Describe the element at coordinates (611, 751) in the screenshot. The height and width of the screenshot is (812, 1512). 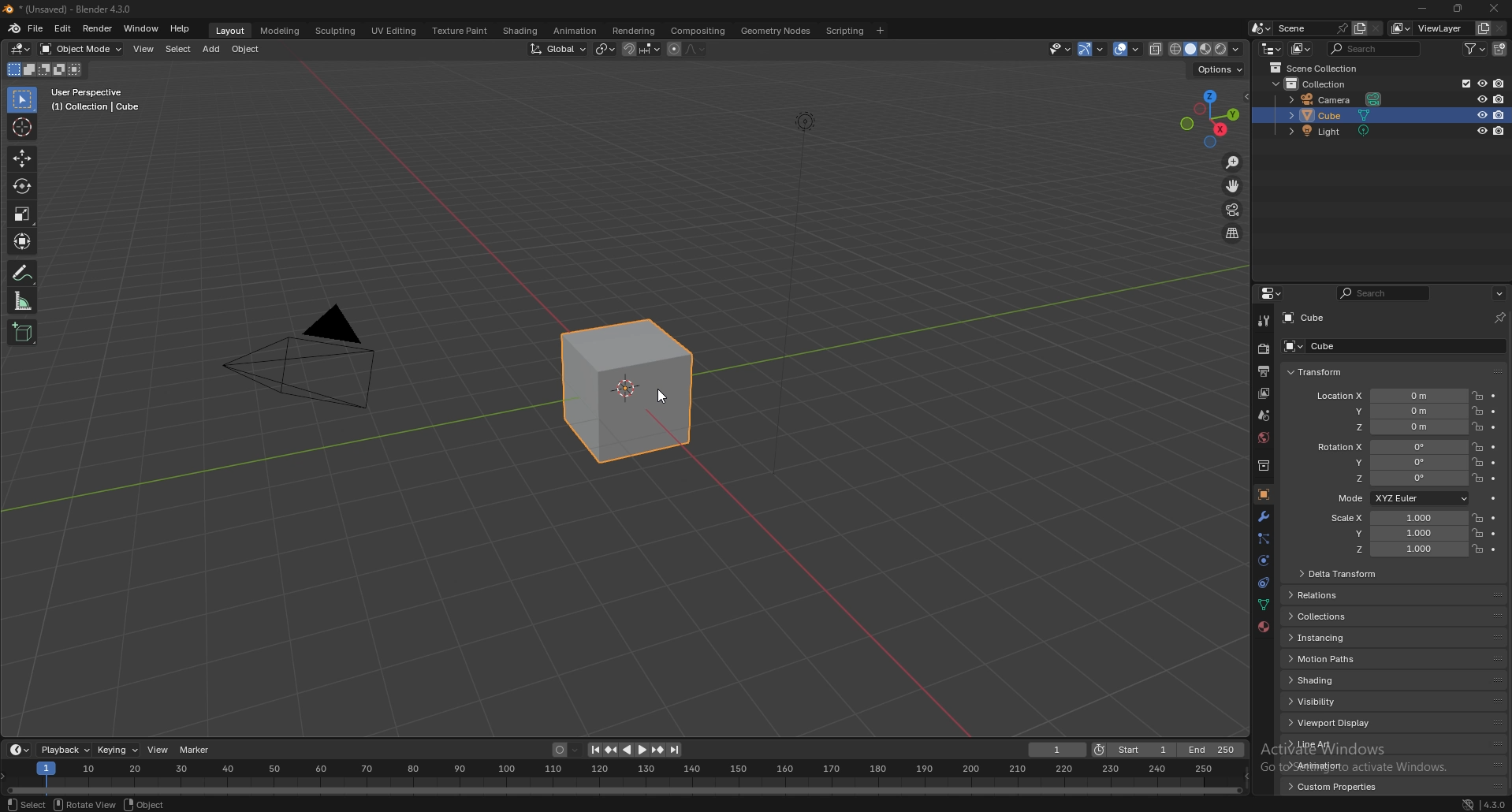
I see `jump to keyframe` at that location.